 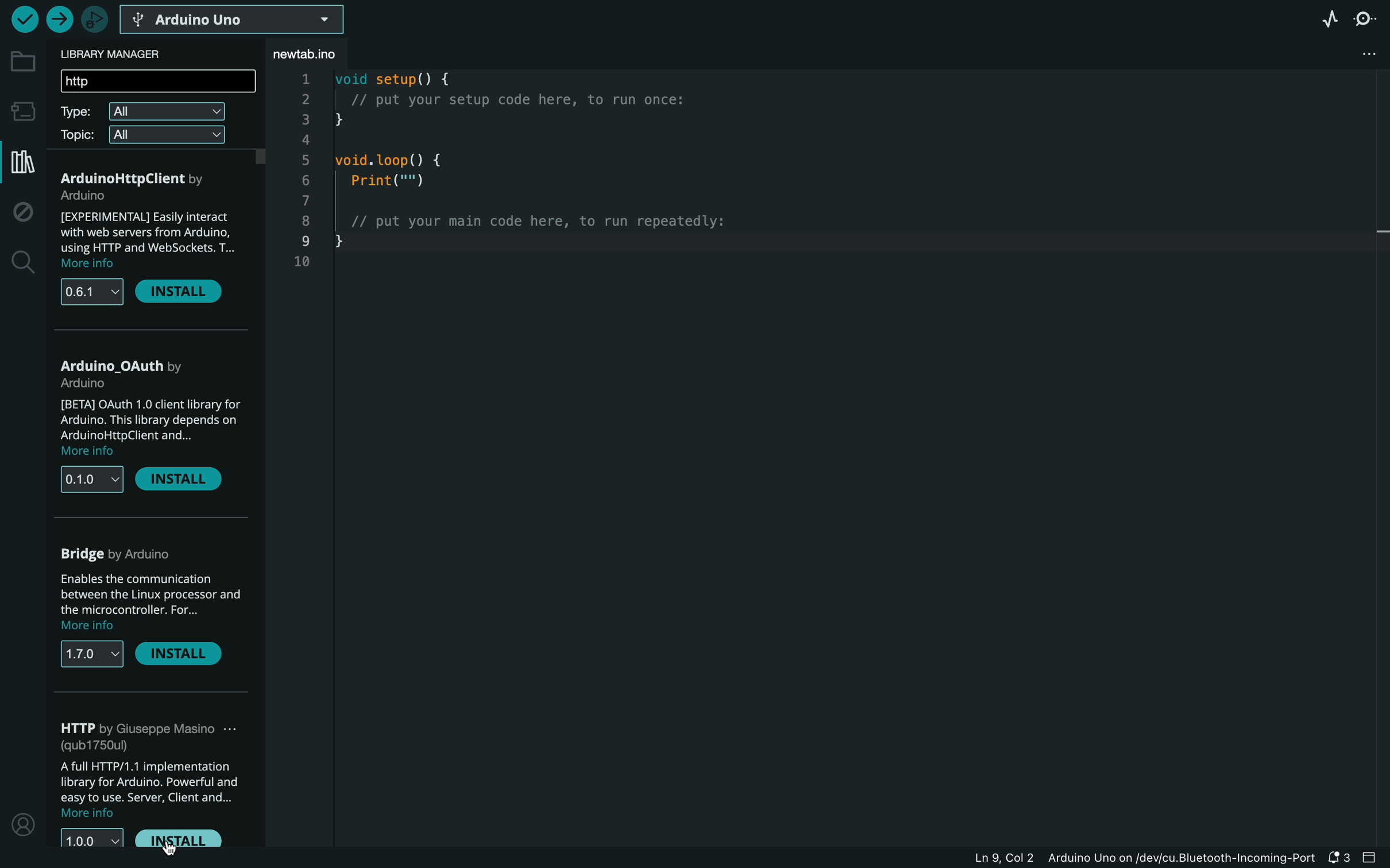 What do you see at coordinates (516, 189) in the screenshot?
I see `code` at bounding box center [516, 189].